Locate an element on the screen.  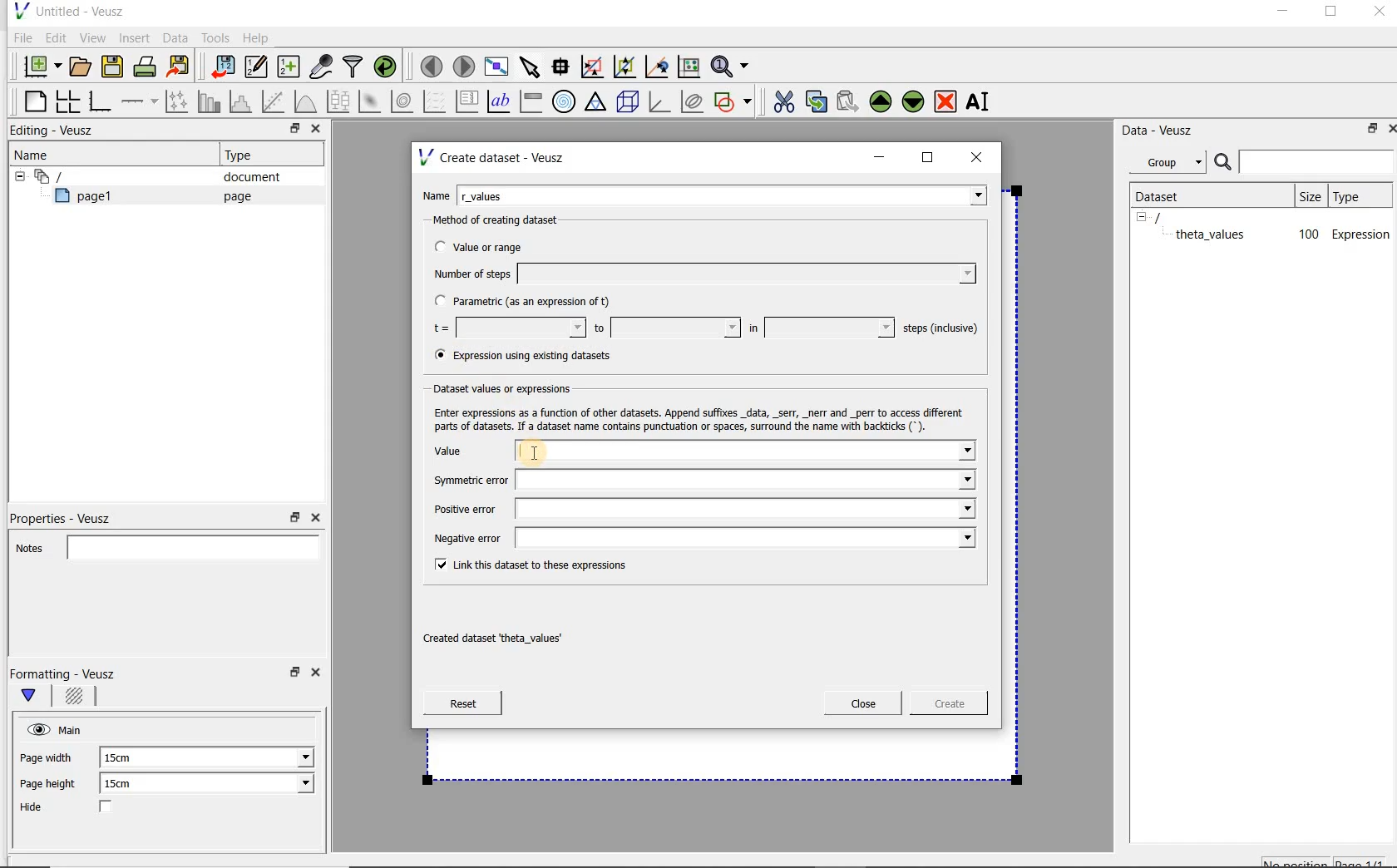
View is located at coordinates (92, 36).